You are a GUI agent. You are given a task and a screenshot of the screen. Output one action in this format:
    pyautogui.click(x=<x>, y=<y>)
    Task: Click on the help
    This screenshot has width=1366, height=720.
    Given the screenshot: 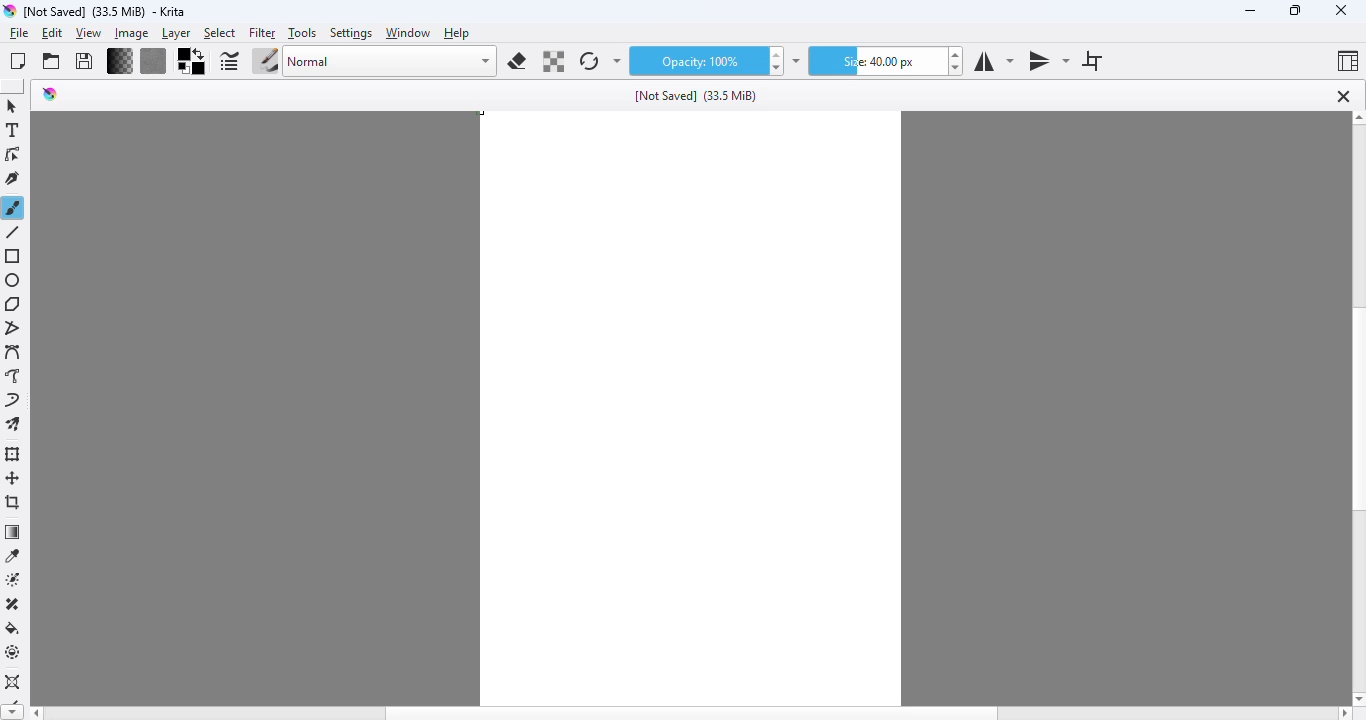 What is the action you would take?
    pyautogui.click(x=457, y=33)
    